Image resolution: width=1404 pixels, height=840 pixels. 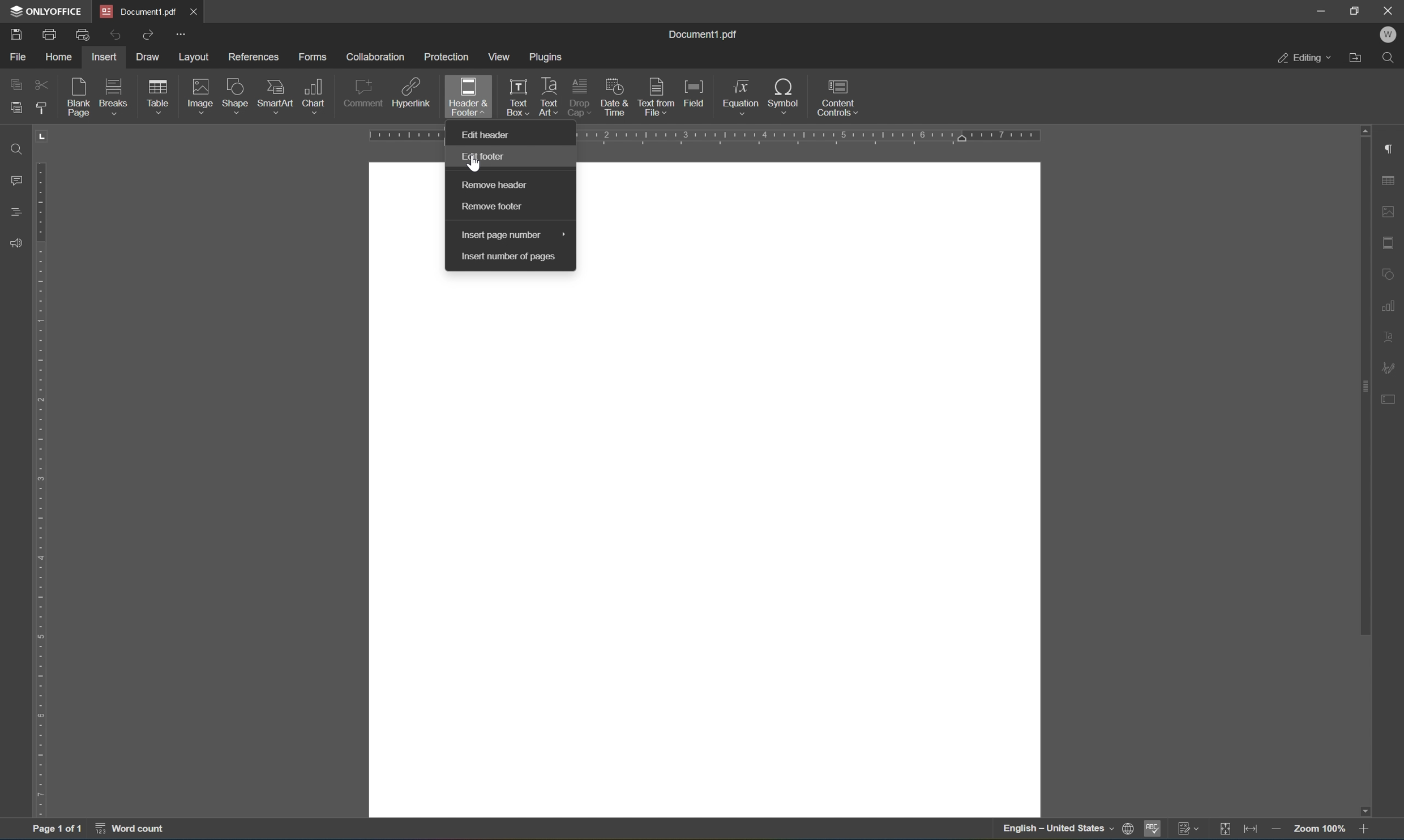 I want to click on plugins, so click(x=547, y=55).